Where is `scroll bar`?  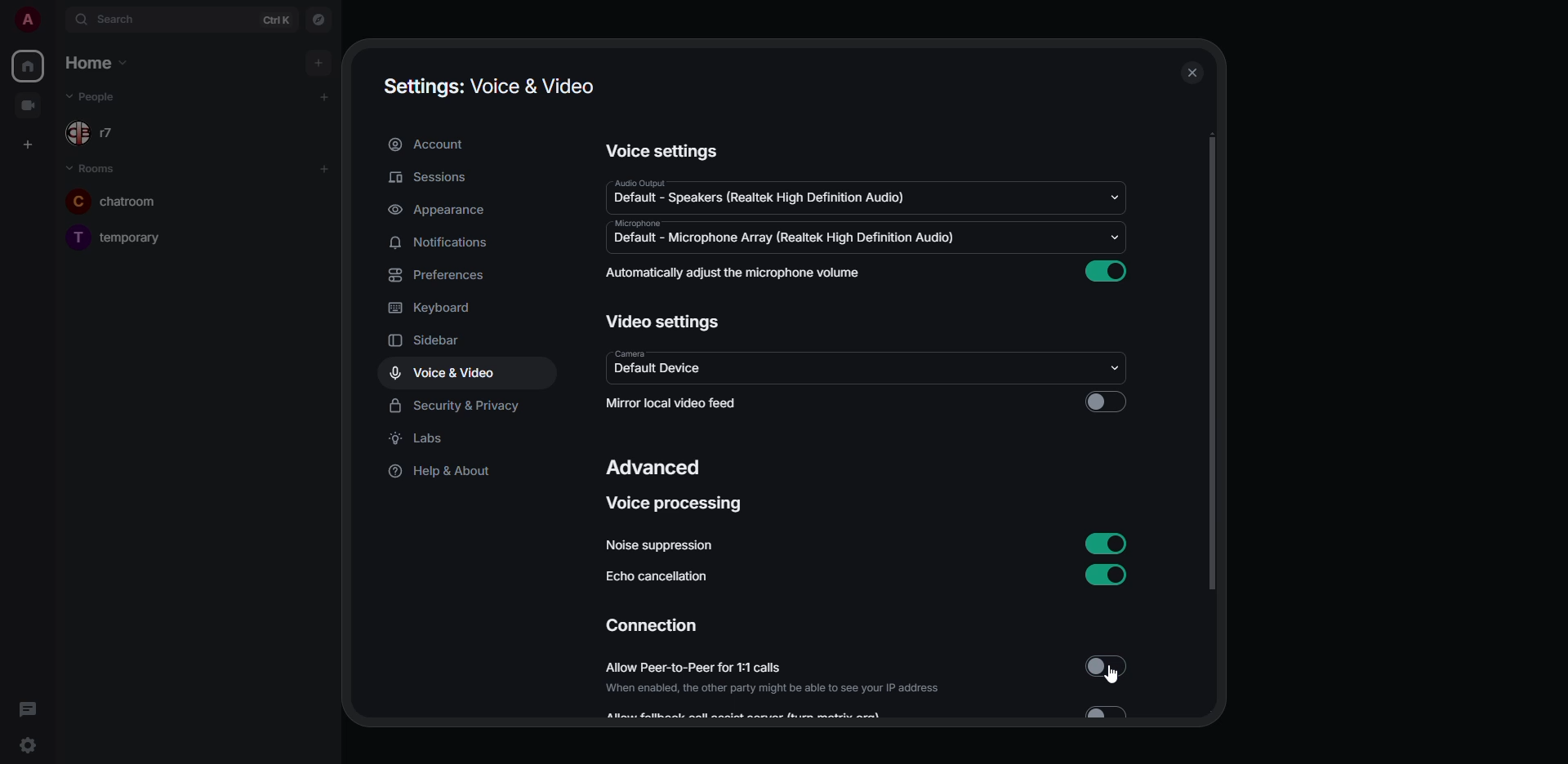
scroll bar is located at coordinates (1210, 363).